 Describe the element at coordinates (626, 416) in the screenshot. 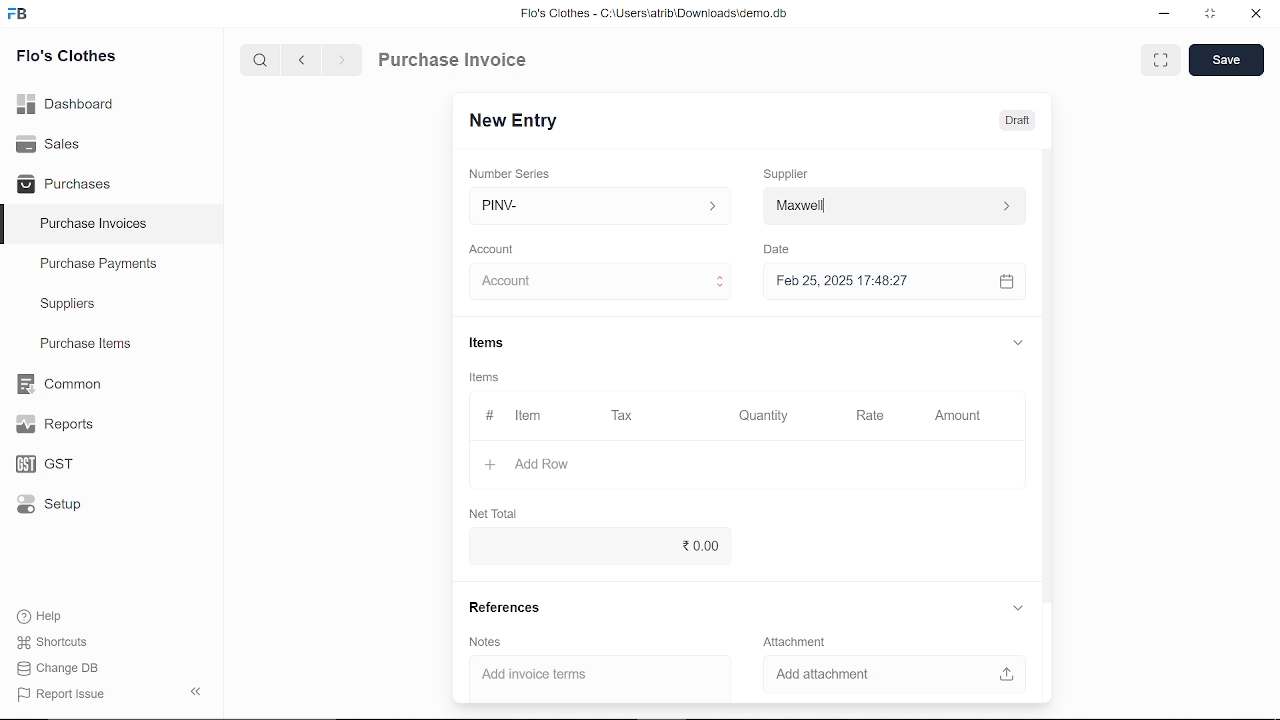

I see `Tax` at that location.